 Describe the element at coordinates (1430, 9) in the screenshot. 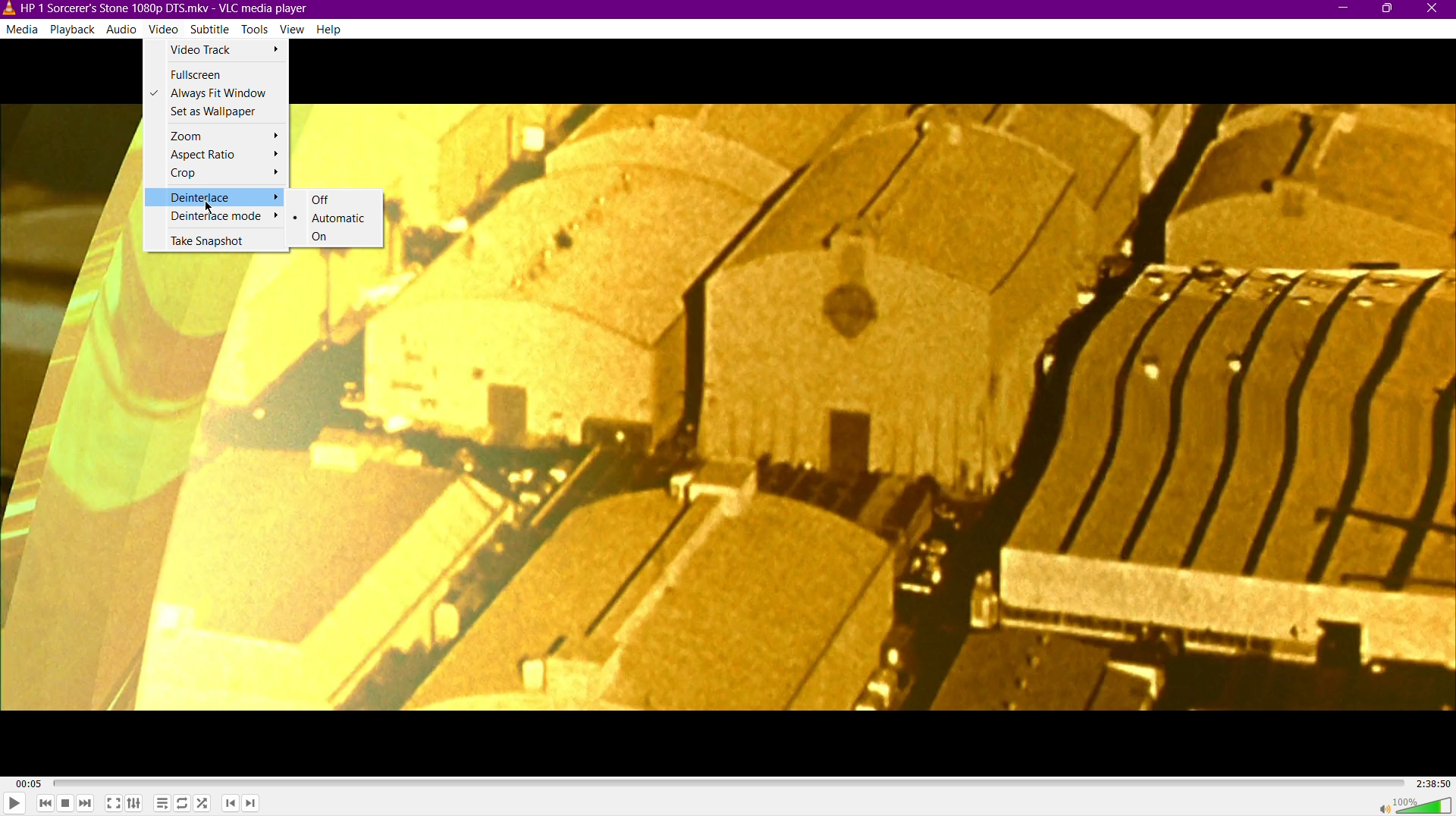

I see `Close` at that location.